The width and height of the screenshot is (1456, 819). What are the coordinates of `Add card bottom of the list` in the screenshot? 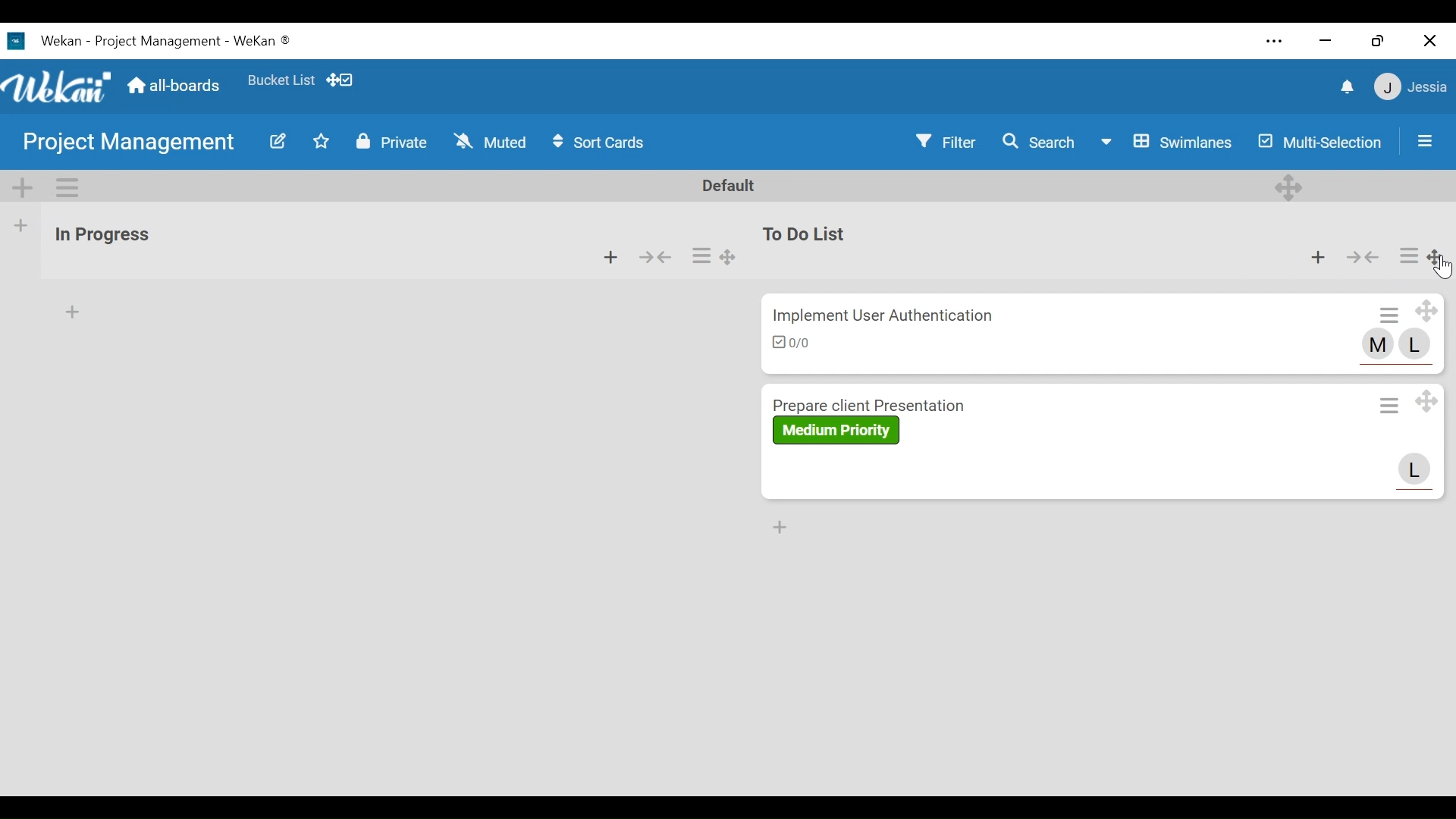 It's located at (777, 529).